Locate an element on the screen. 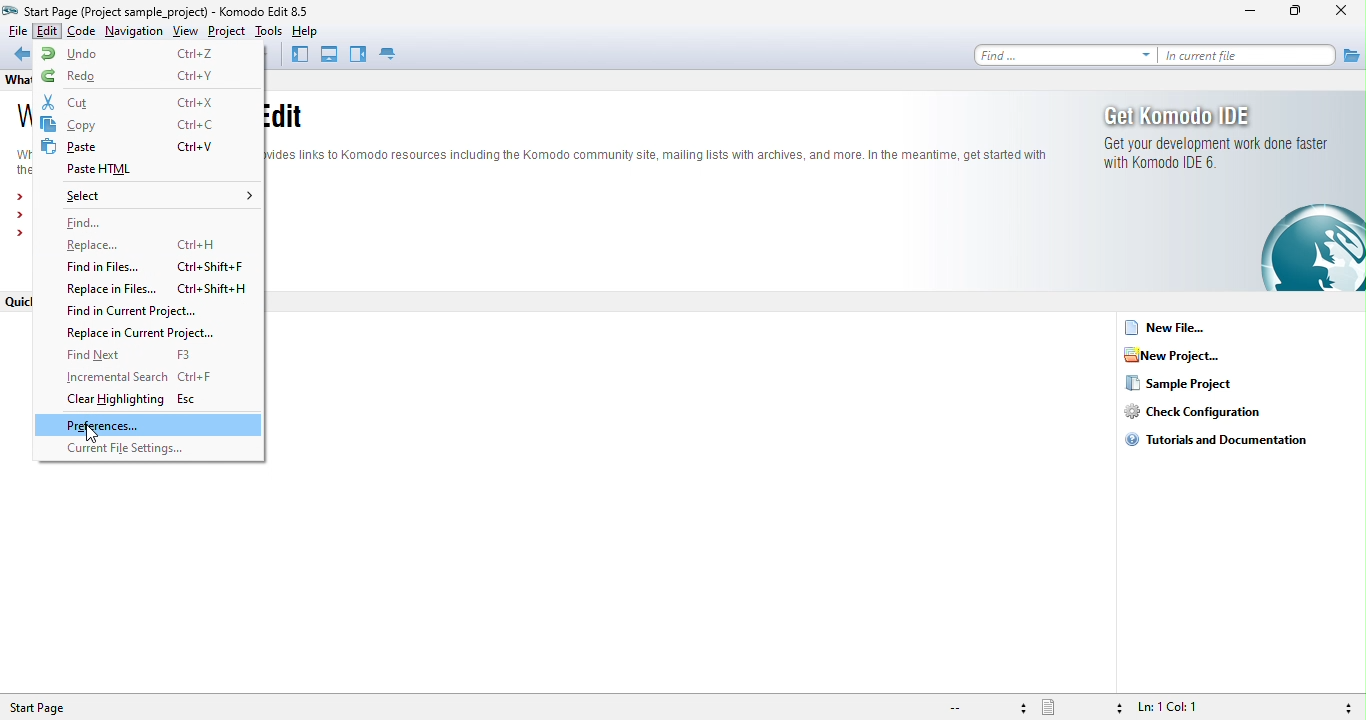 This screenshot has height=720, width=1366. sample project is located at coordinates (1196, 385).